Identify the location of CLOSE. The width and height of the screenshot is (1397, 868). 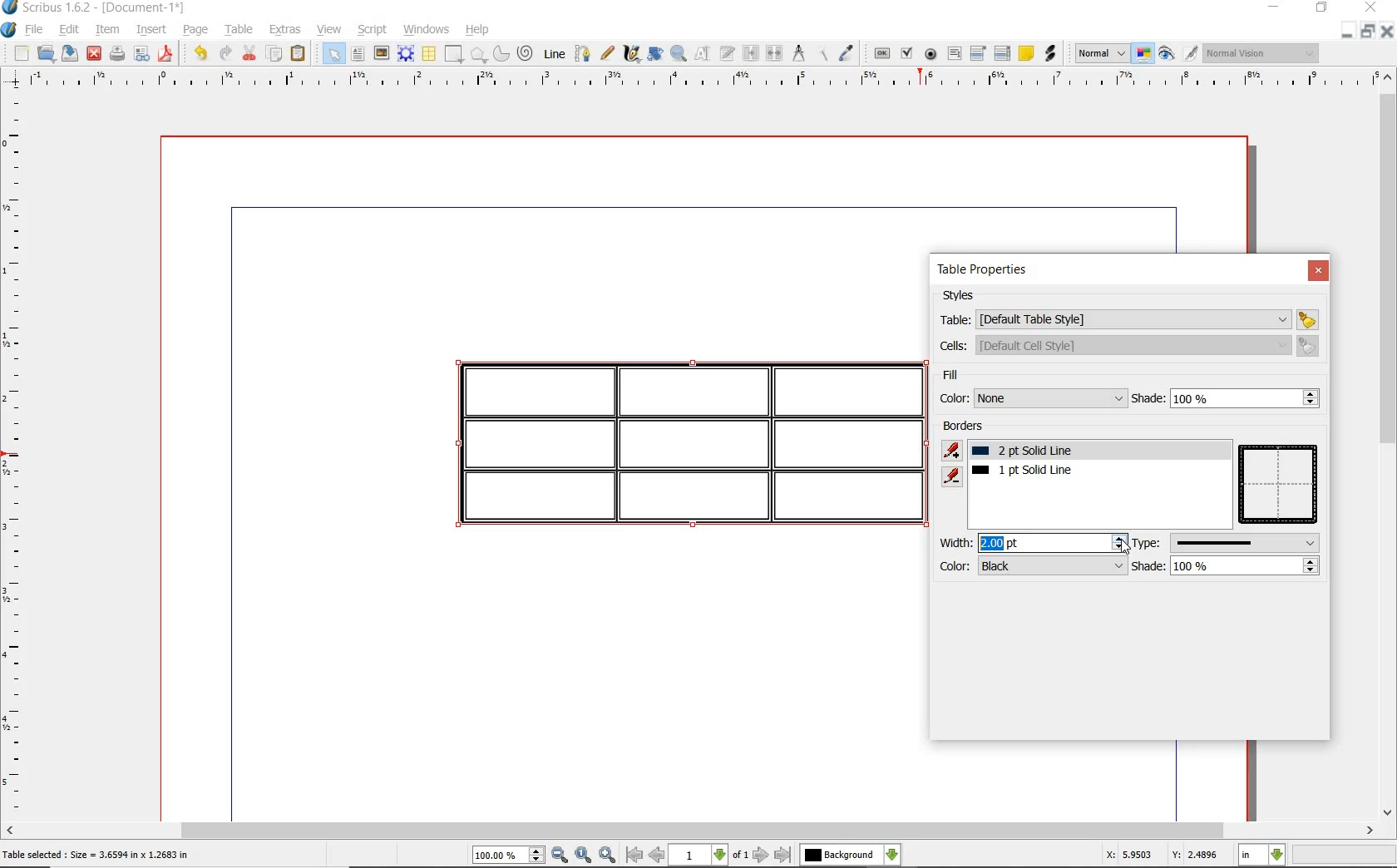
(1371, 7).